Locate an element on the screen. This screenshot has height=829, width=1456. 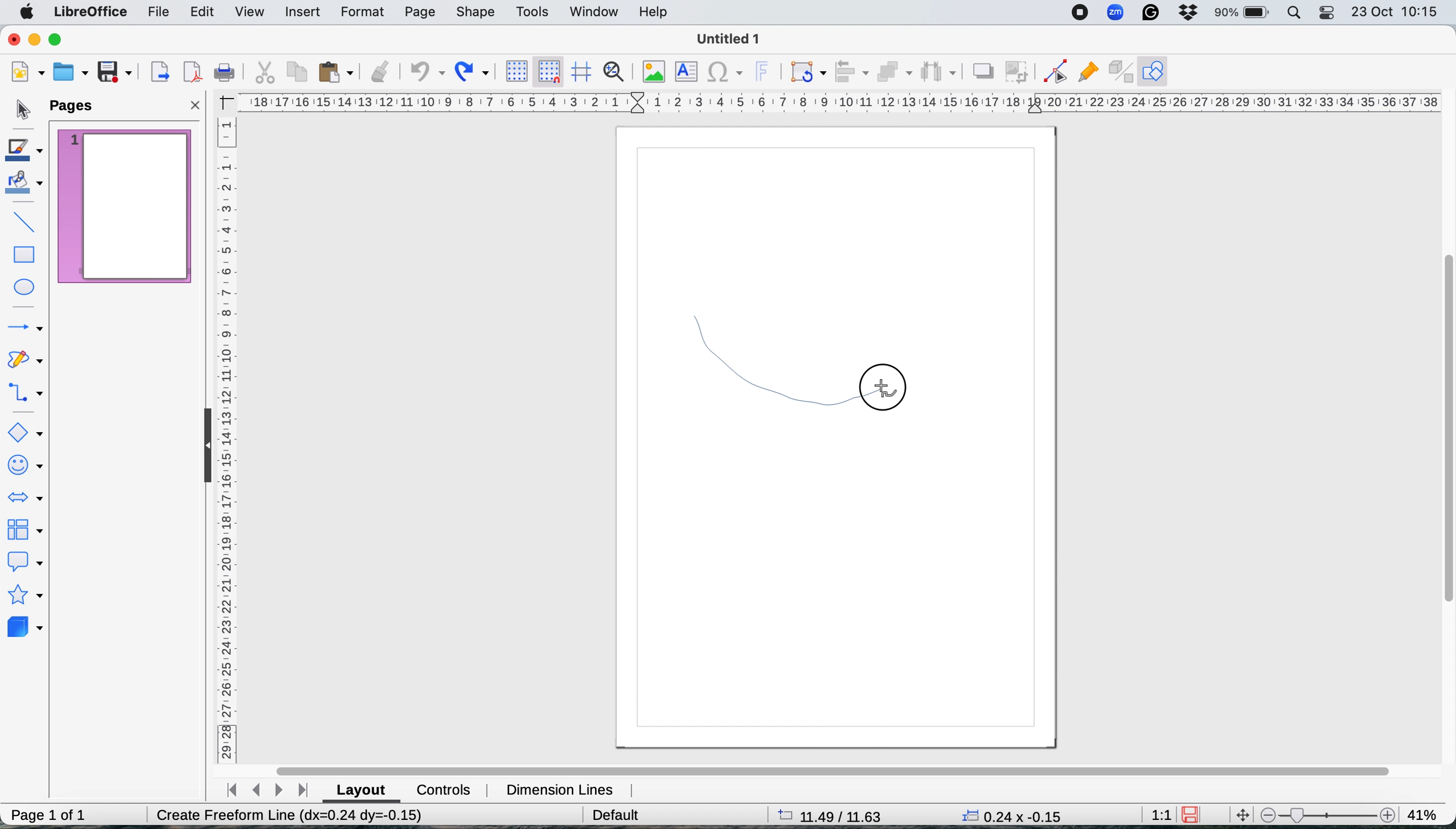
vertical scale is located at coordinates (228, 441).